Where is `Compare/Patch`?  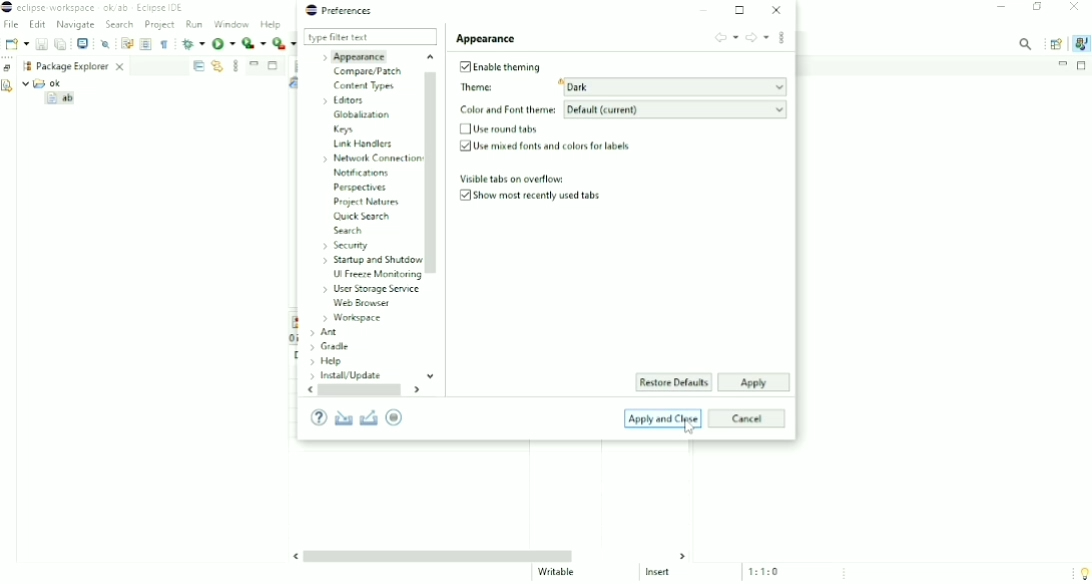 Compare/Patch is located at coordinates (368, 71).